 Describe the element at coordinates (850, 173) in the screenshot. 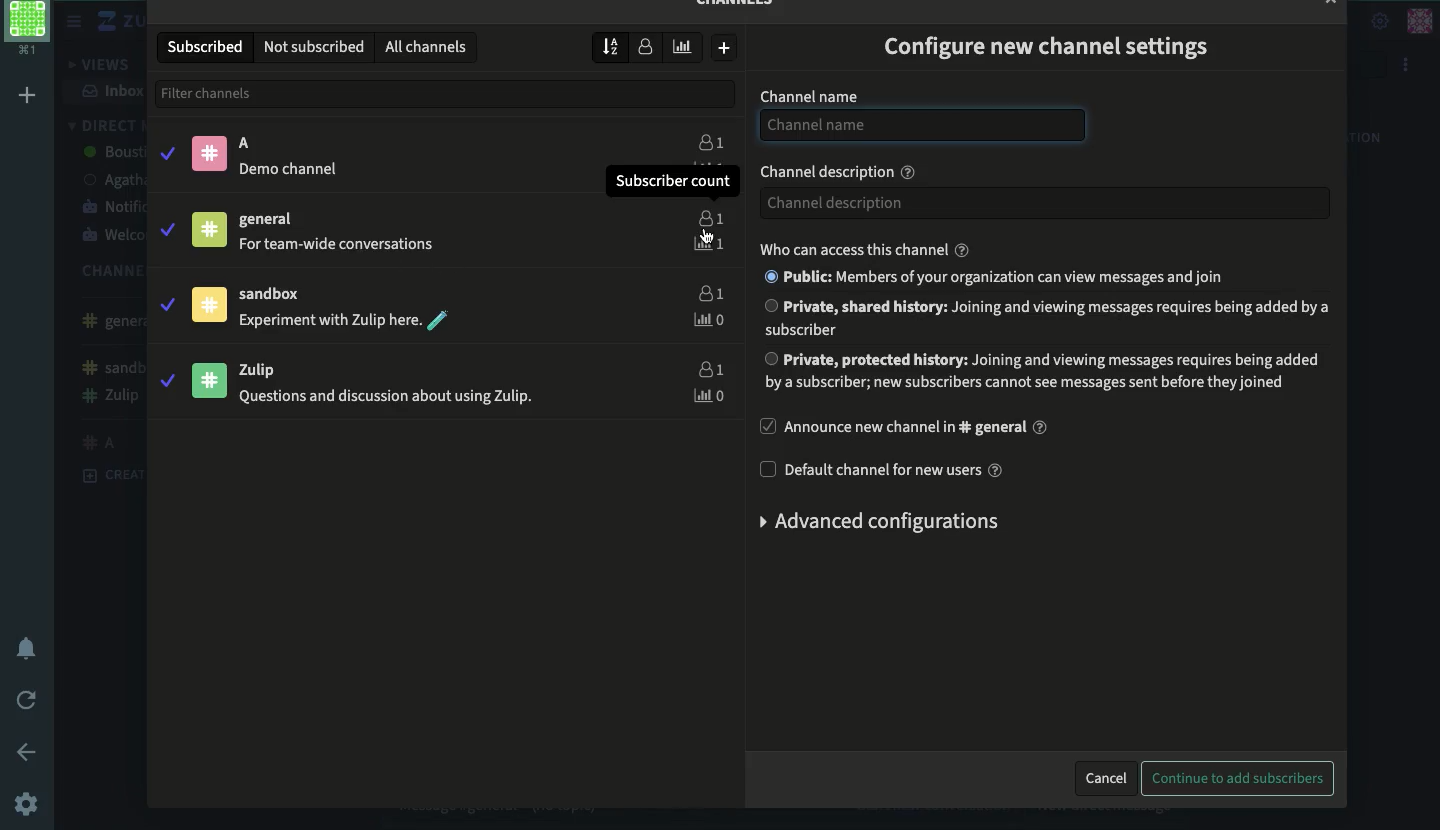

I see `channel description ` at that location.